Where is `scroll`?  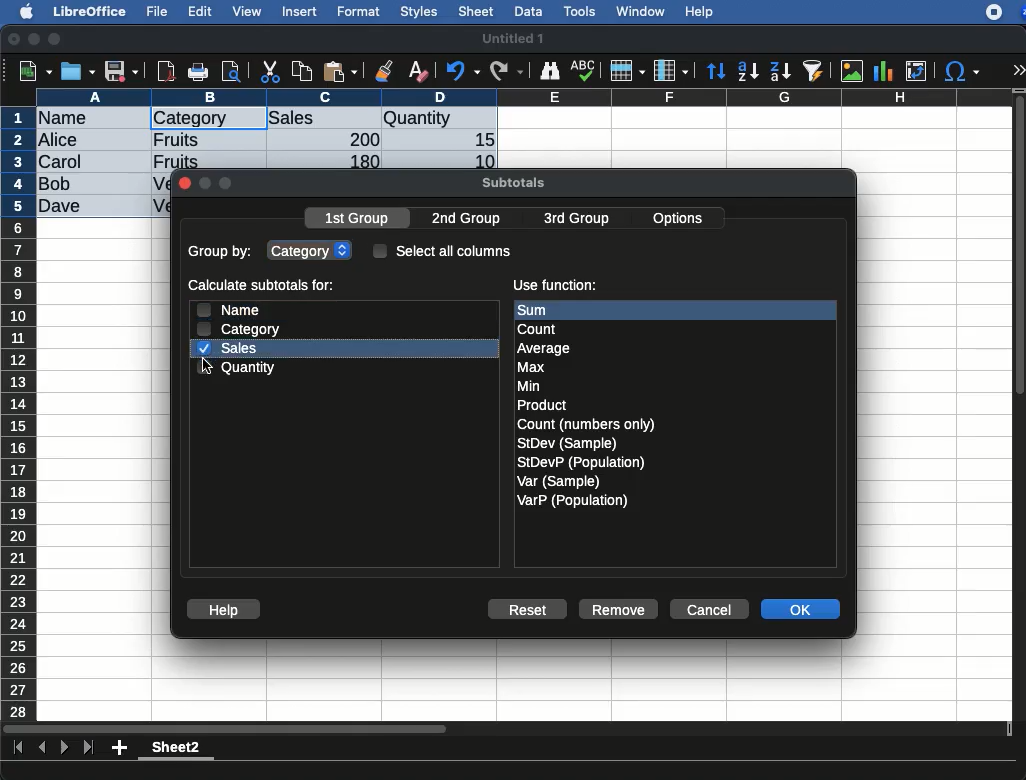 scroll is located at coordinates (1021, 404).